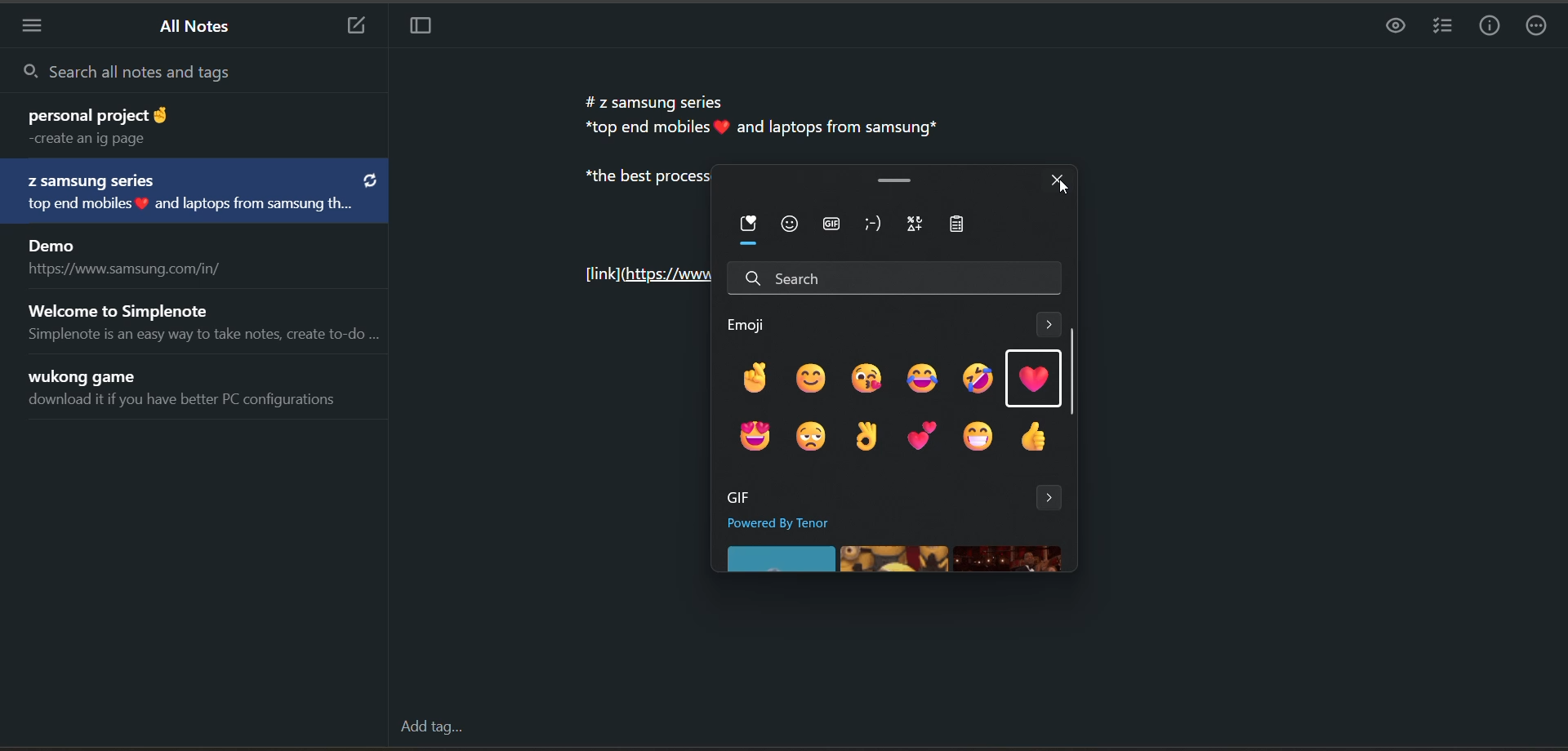 Image resolution: width=1568 pixels, height=751 pixels. What do you see at coordinates (752, 115) in the screenshot?
I see `data in the current note` at bounding box center [752, 115].